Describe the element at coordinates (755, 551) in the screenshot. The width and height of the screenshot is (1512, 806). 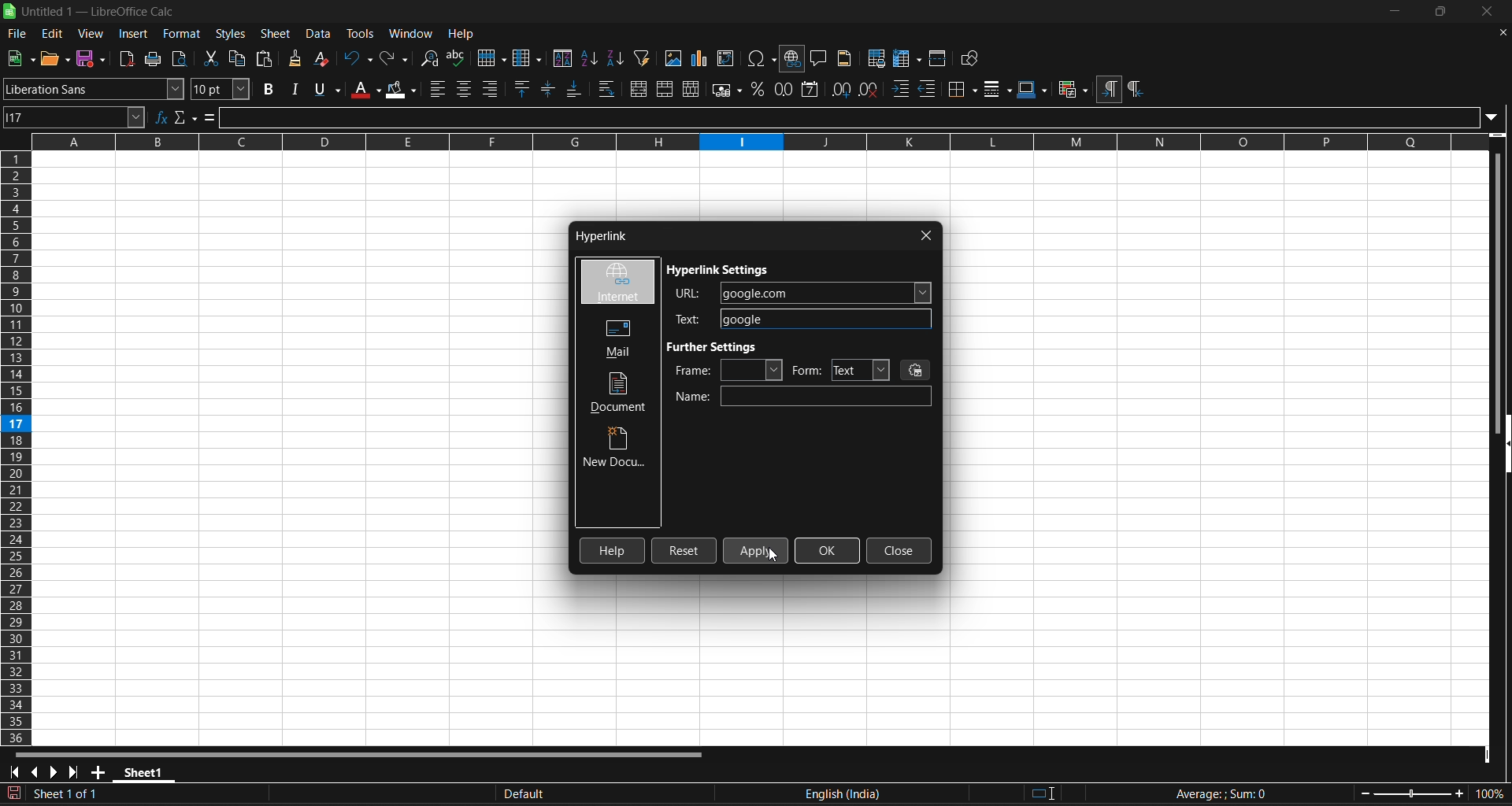
I see `click apply` at that location.